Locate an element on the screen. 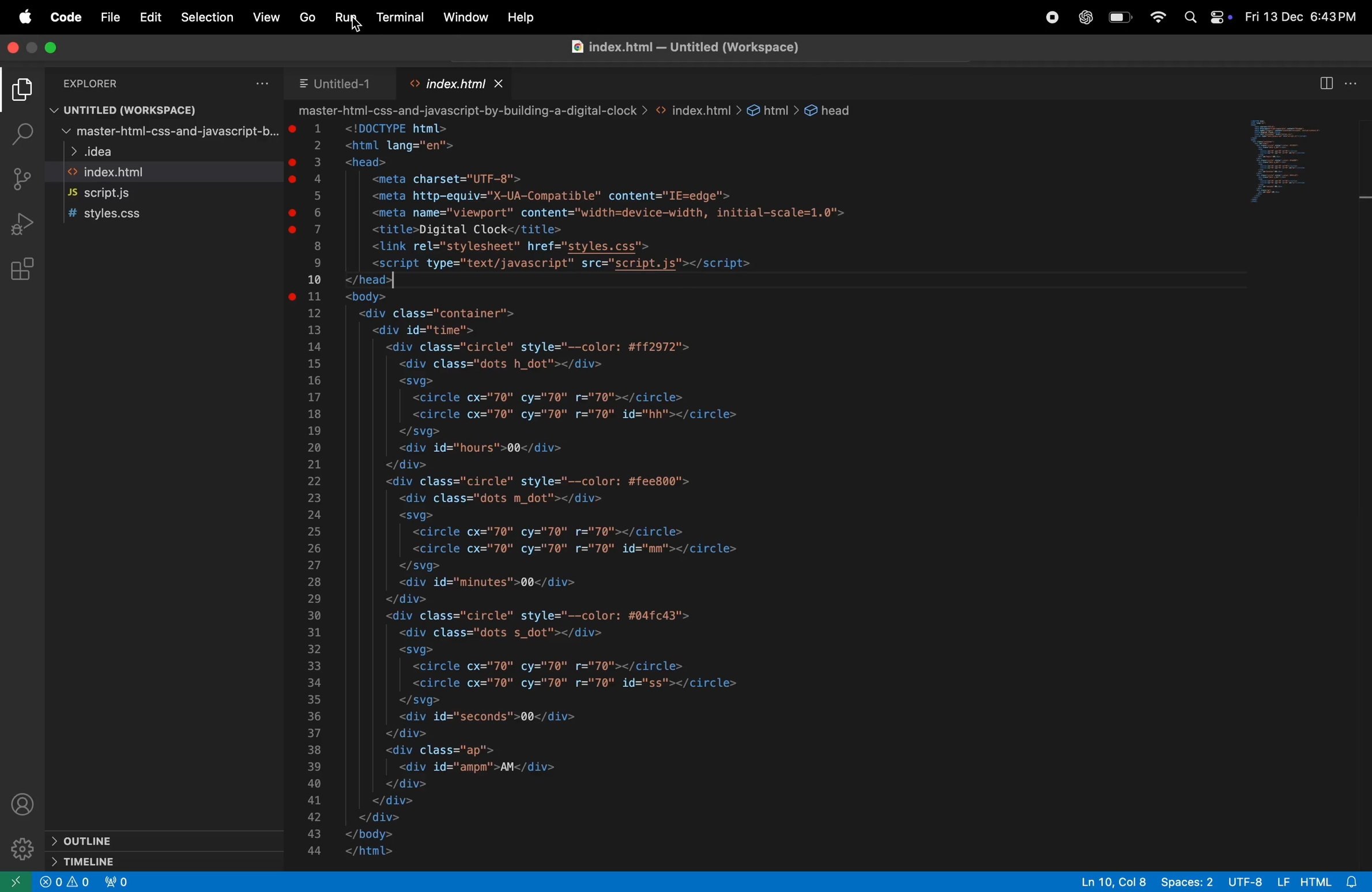  source control is located at coordinates (22, 178).